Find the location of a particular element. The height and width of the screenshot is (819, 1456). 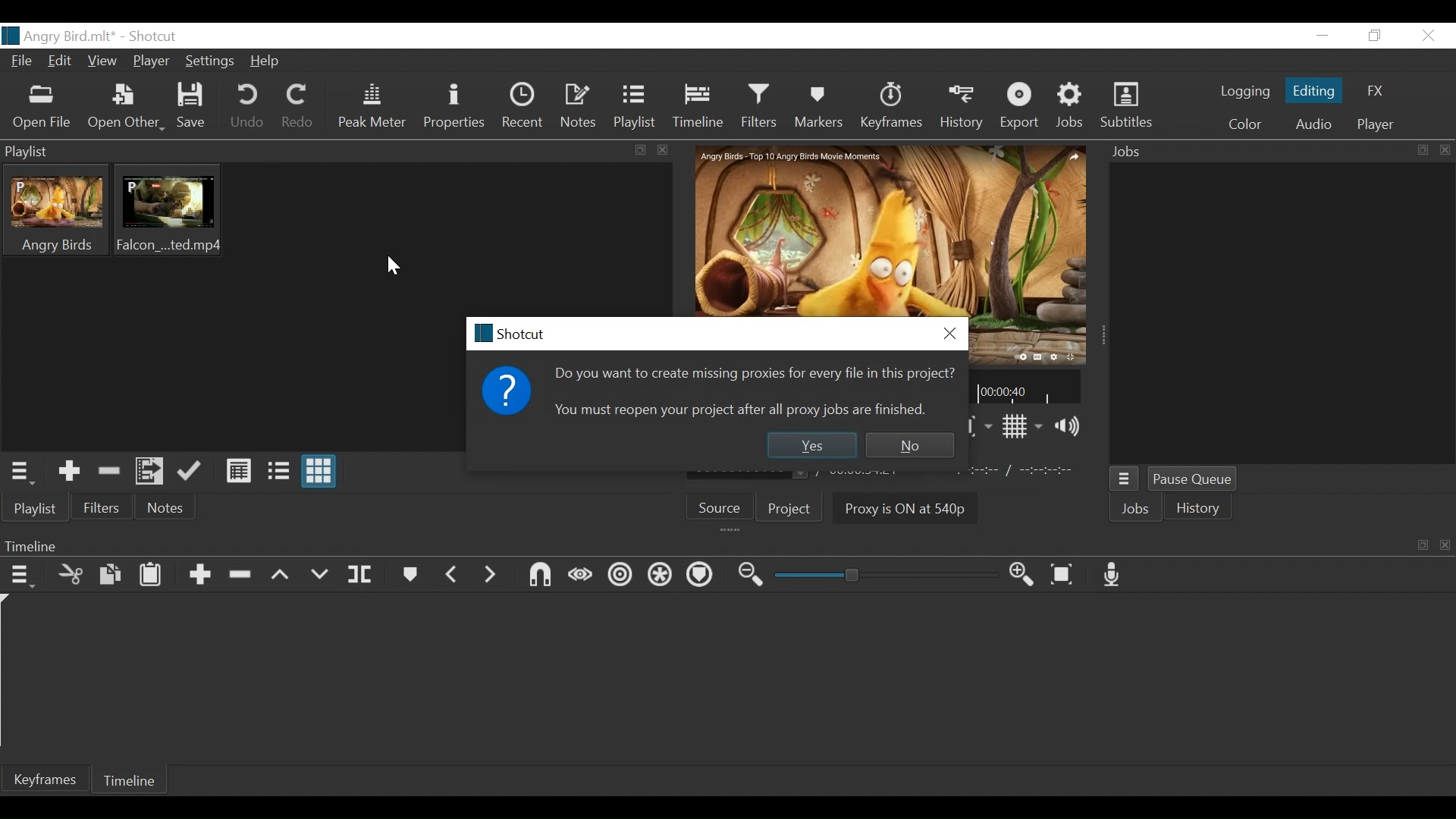

Proxy is On is located at coordinates (898, 507).